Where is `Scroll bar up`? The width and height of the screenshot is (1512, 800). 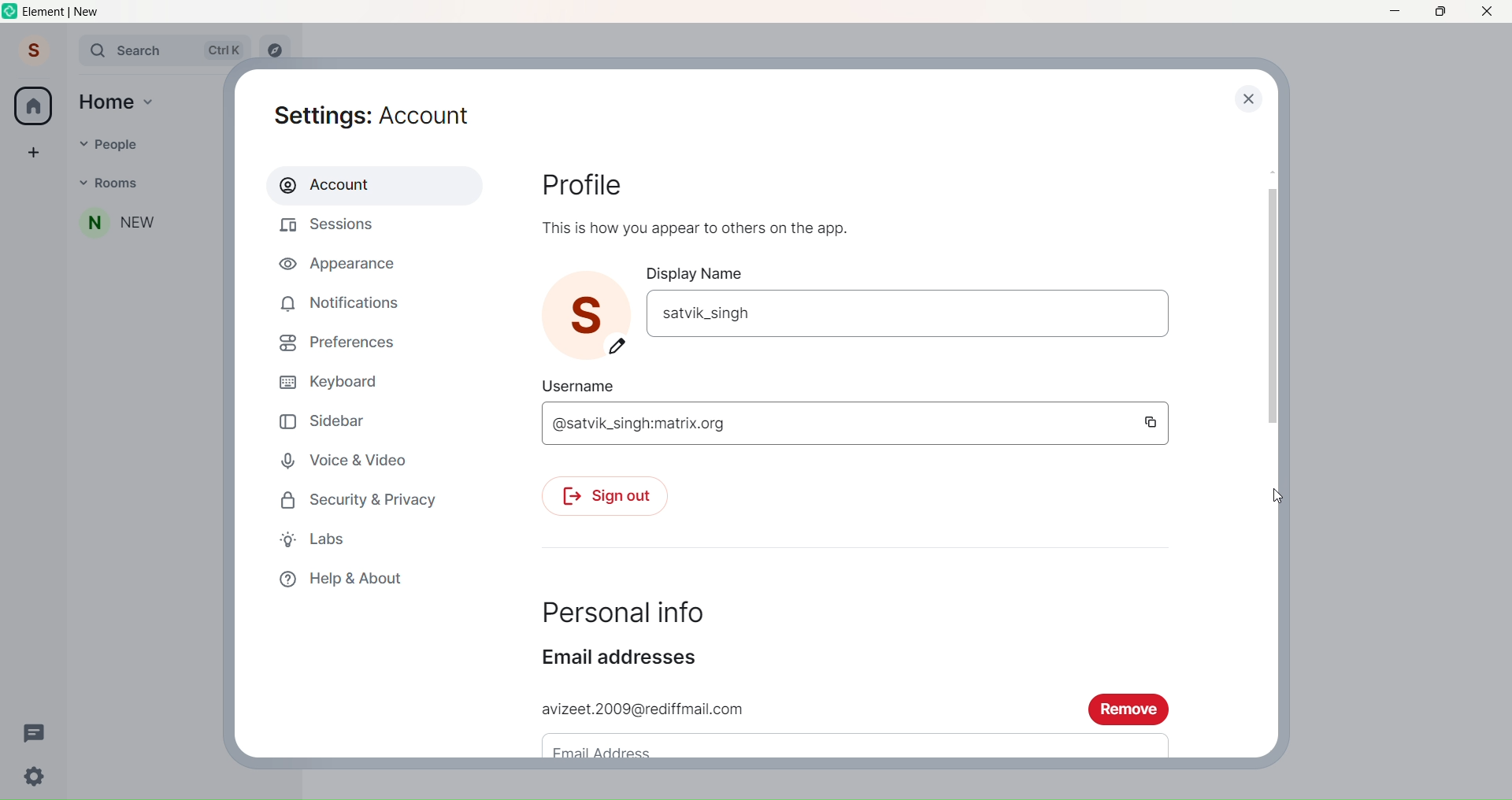
Scroll bar up is located at coordinates (1269, 169).